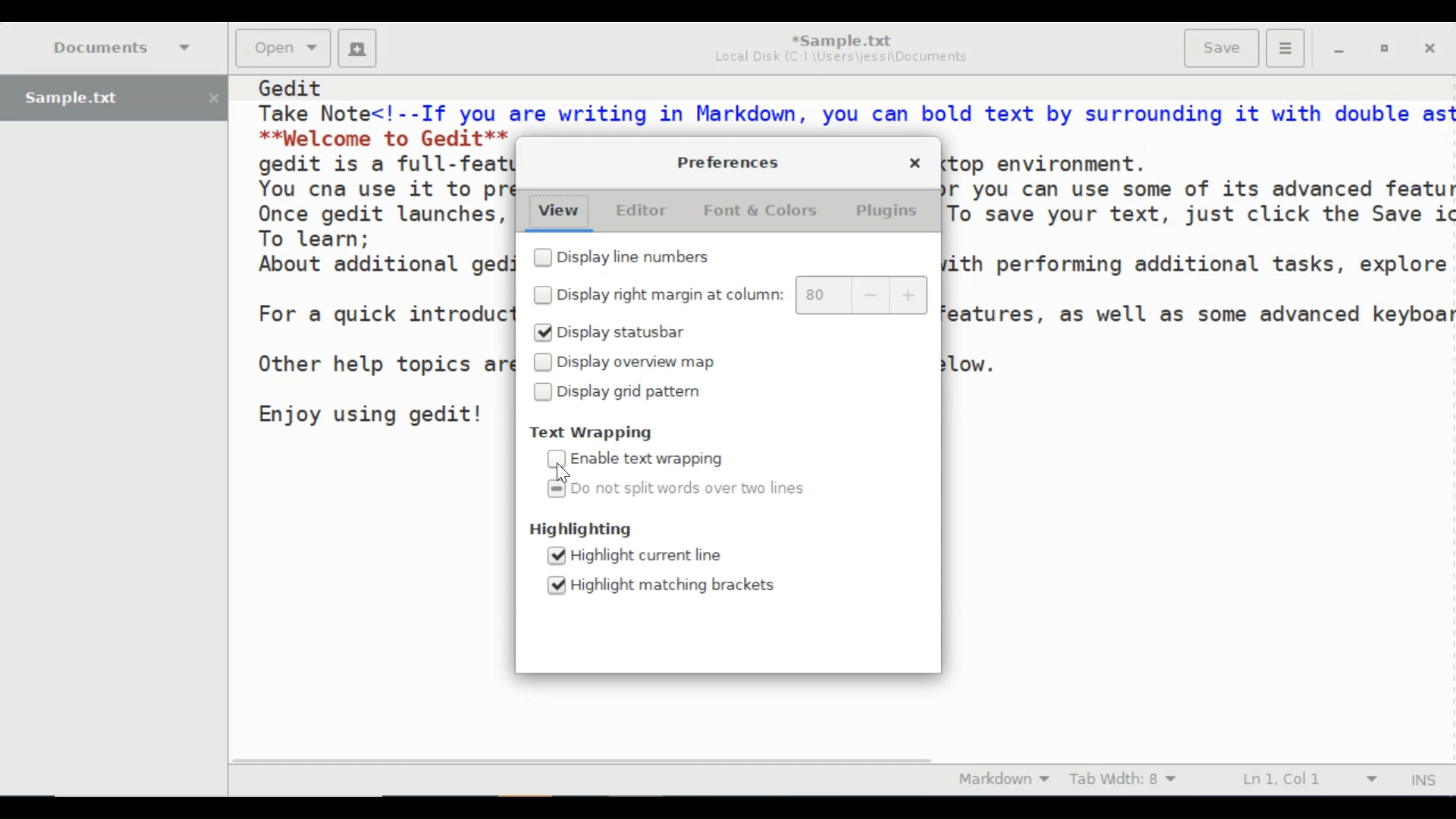 This screenshot has height=819, width=1456. What do you see at coordinates (1305, 778) in the screenshot?
I see `Line & Column Preference` at bounding box center [1305, 778].